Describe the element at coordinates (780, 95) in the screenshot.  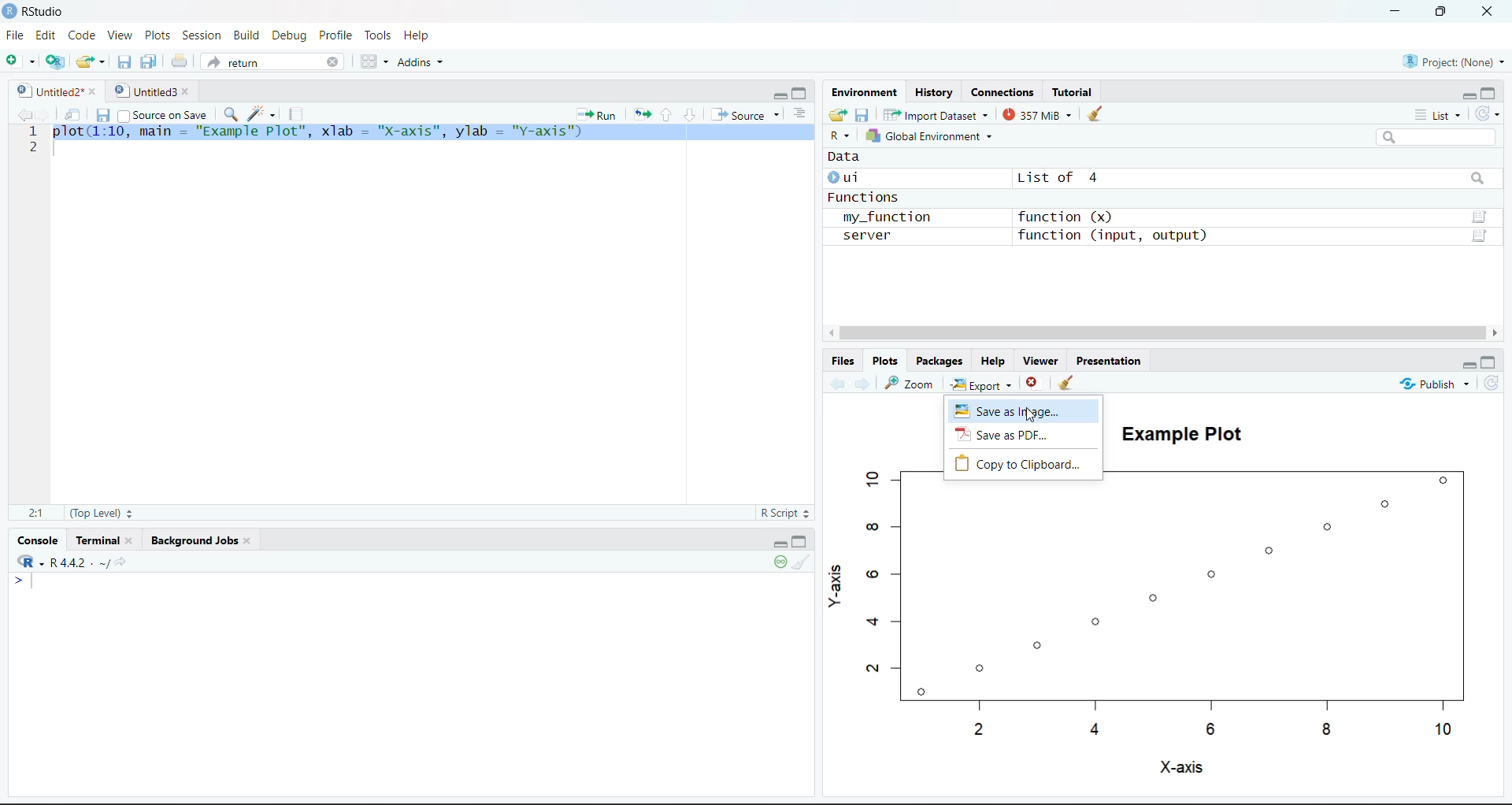
I see `Minimize` at that location.